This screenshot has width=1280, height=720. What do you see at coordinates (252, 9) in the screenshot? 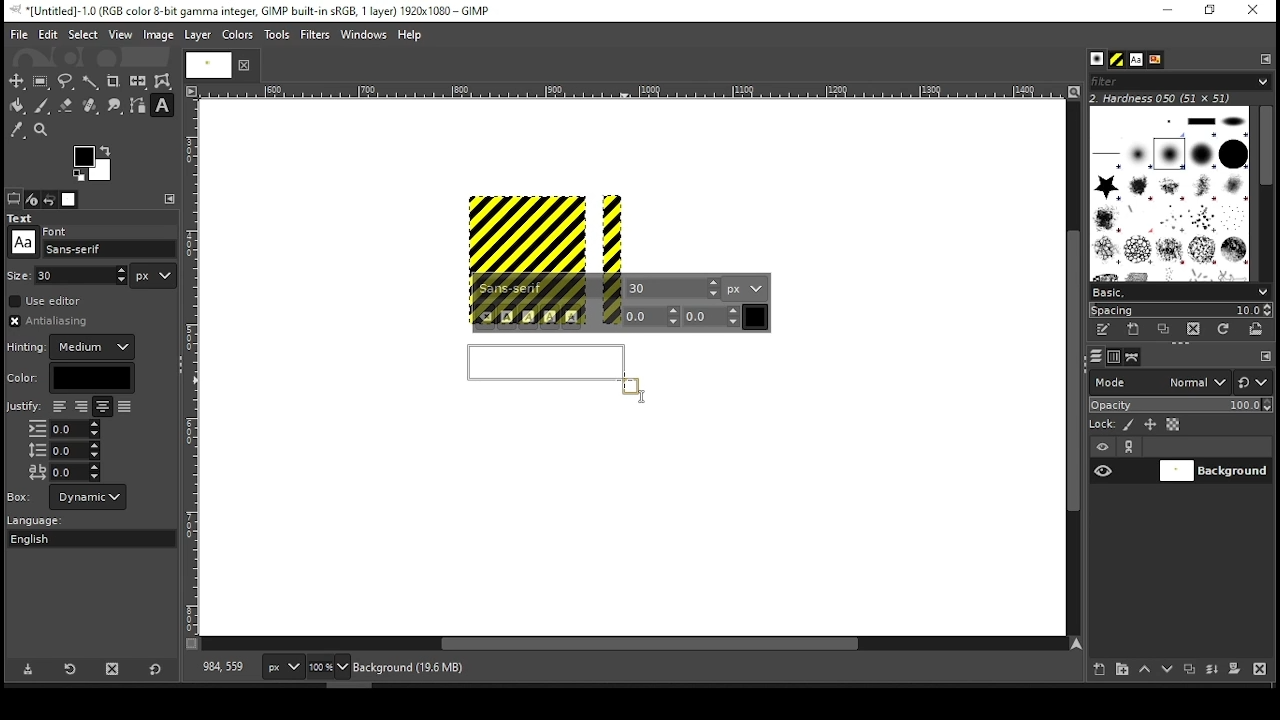
I see `icon and filename` at bounding box center [252, 9].